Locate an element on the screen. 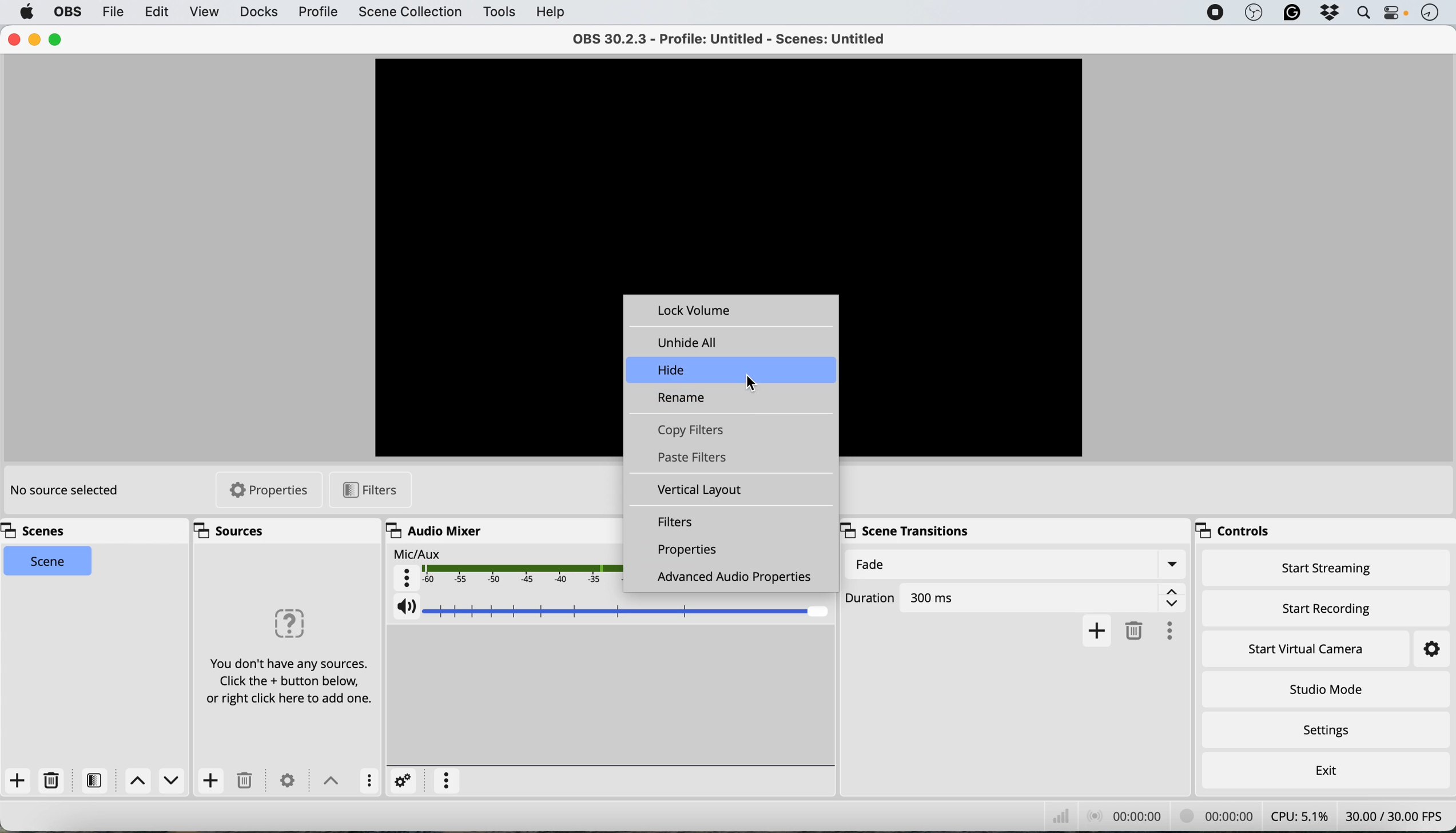  scene collection is located at coordinates (411, 14).